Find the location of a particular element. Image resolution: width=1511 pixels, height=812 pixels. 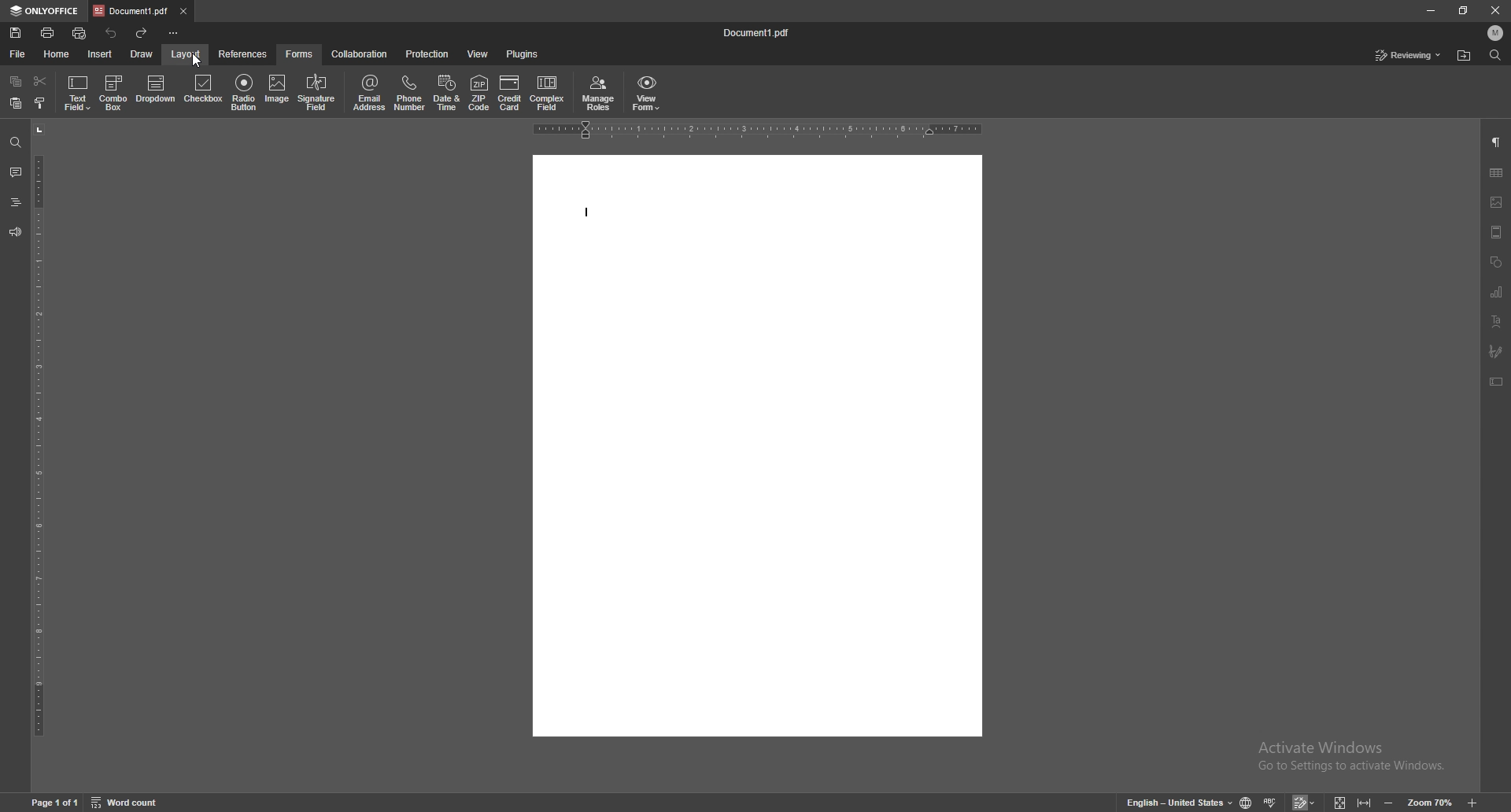

radio button is located at coordinates (243, 93).